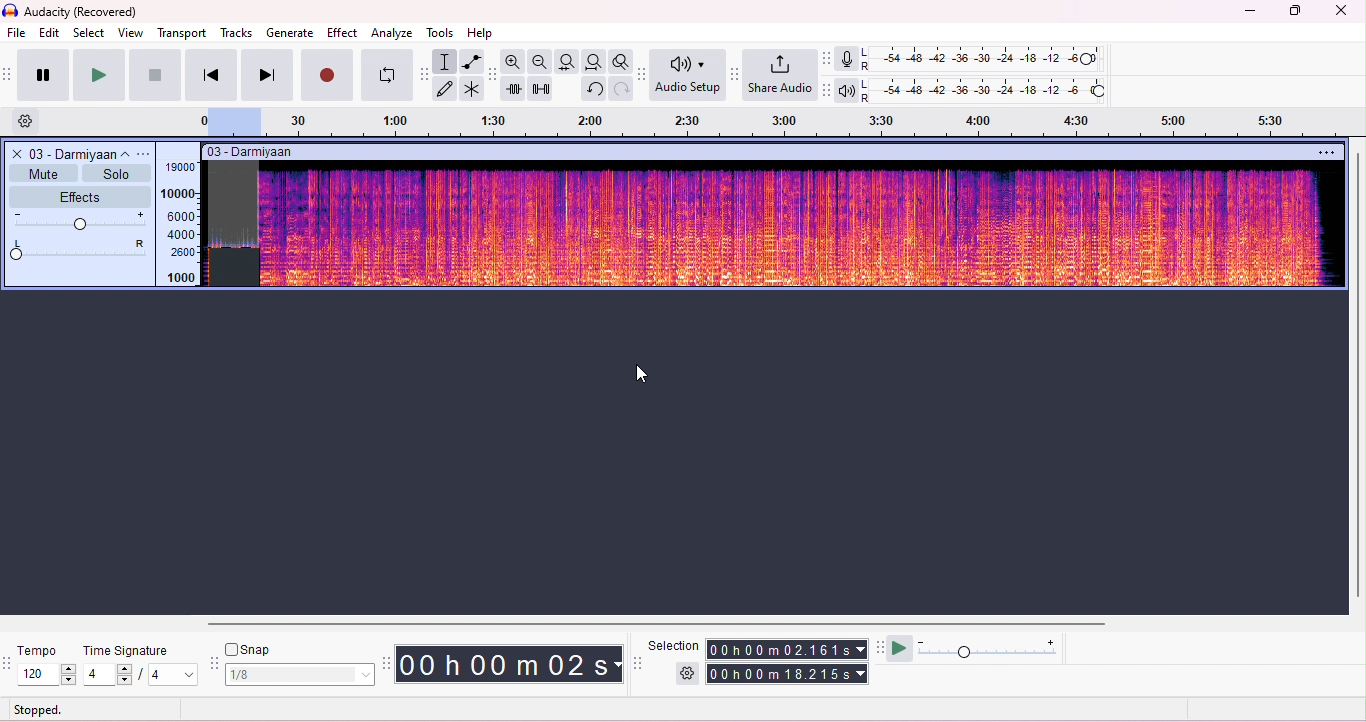 The image size is (1366, 722). Describe the element at coordinates (439, 32) in the screenshot. I see `tools` at that location.